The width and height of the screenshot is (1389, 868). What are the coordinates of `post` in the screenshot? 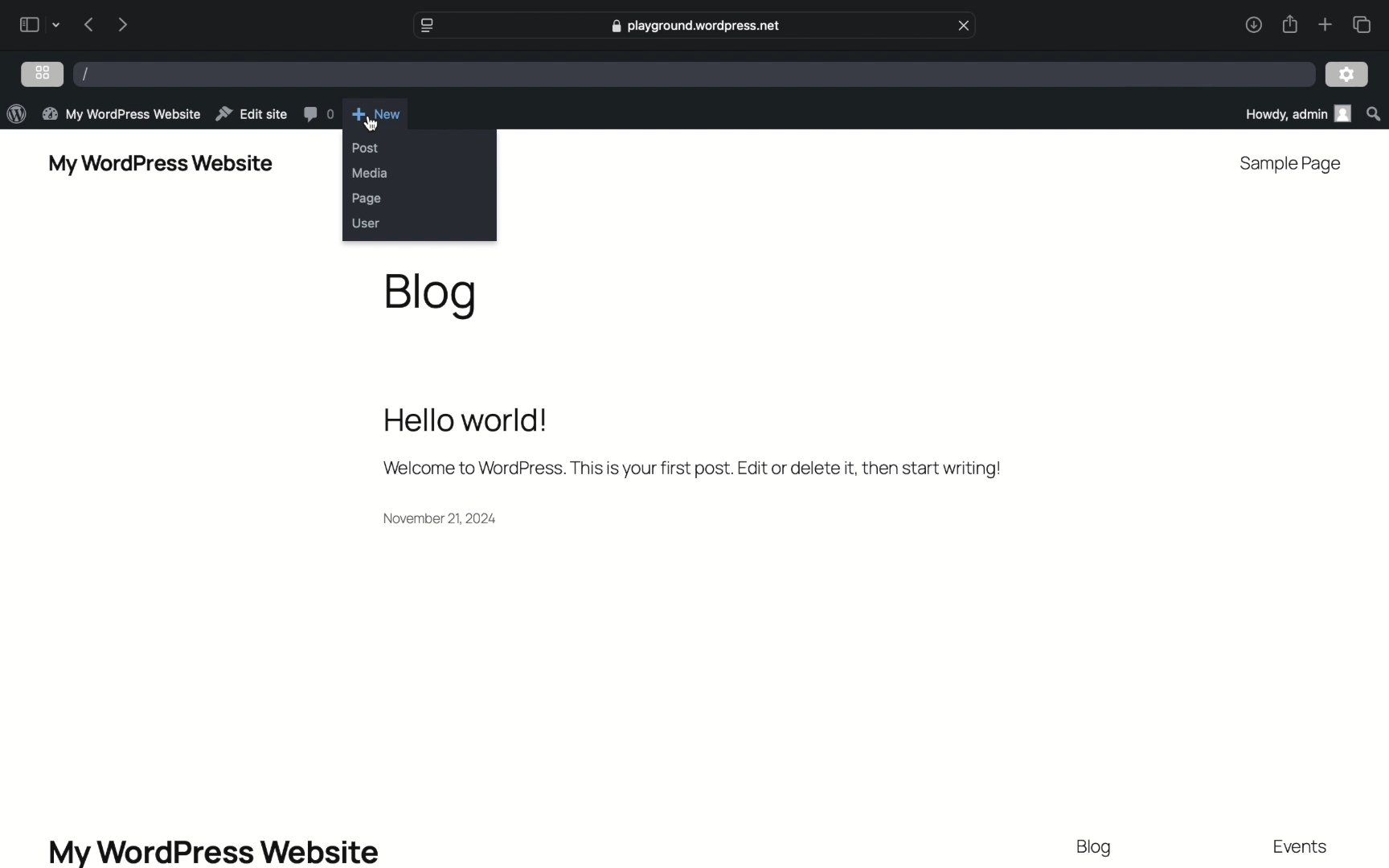 It's located at (365, 147).